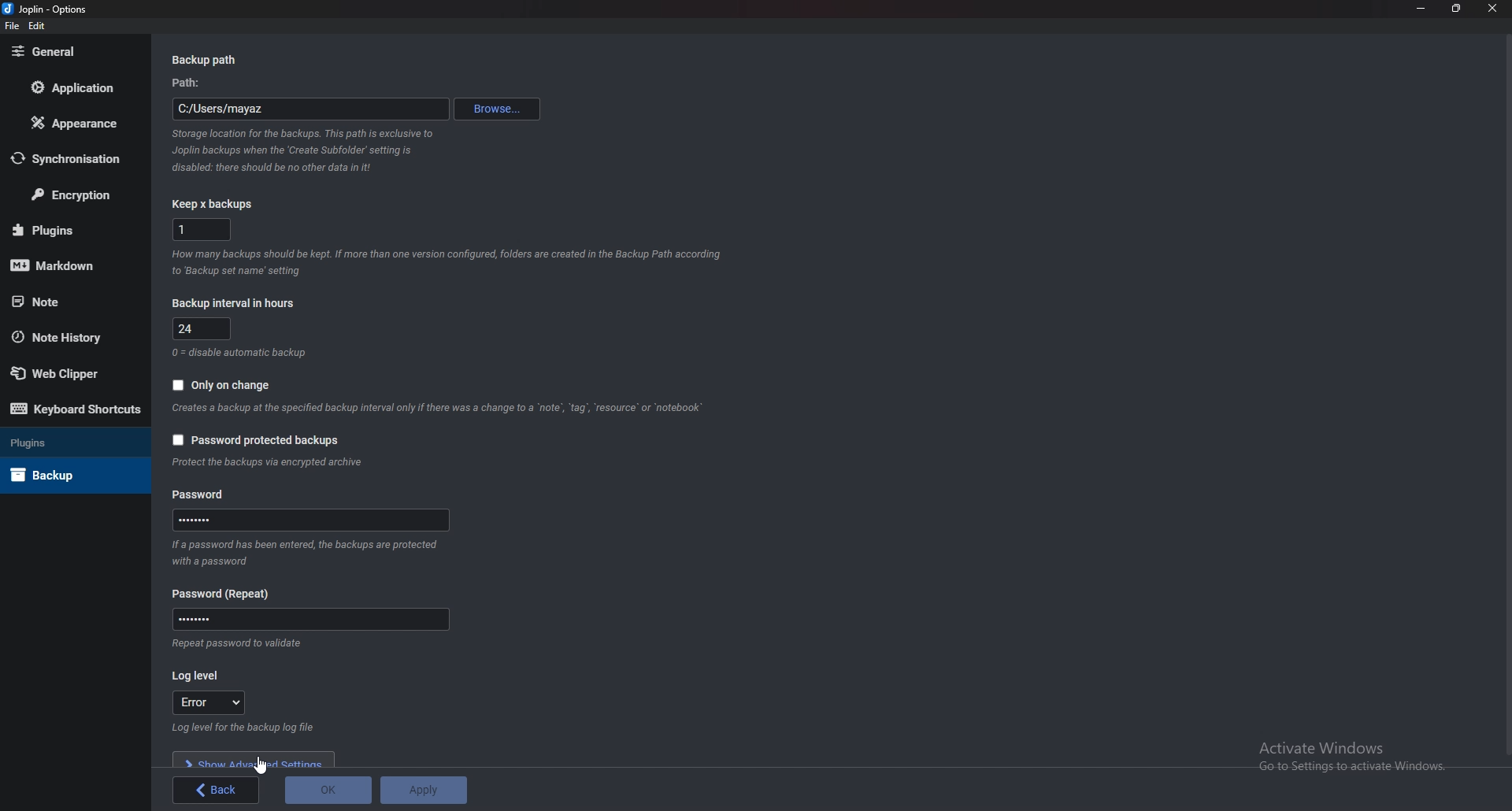  I want to click on Password protected backups, so click(258, 439).